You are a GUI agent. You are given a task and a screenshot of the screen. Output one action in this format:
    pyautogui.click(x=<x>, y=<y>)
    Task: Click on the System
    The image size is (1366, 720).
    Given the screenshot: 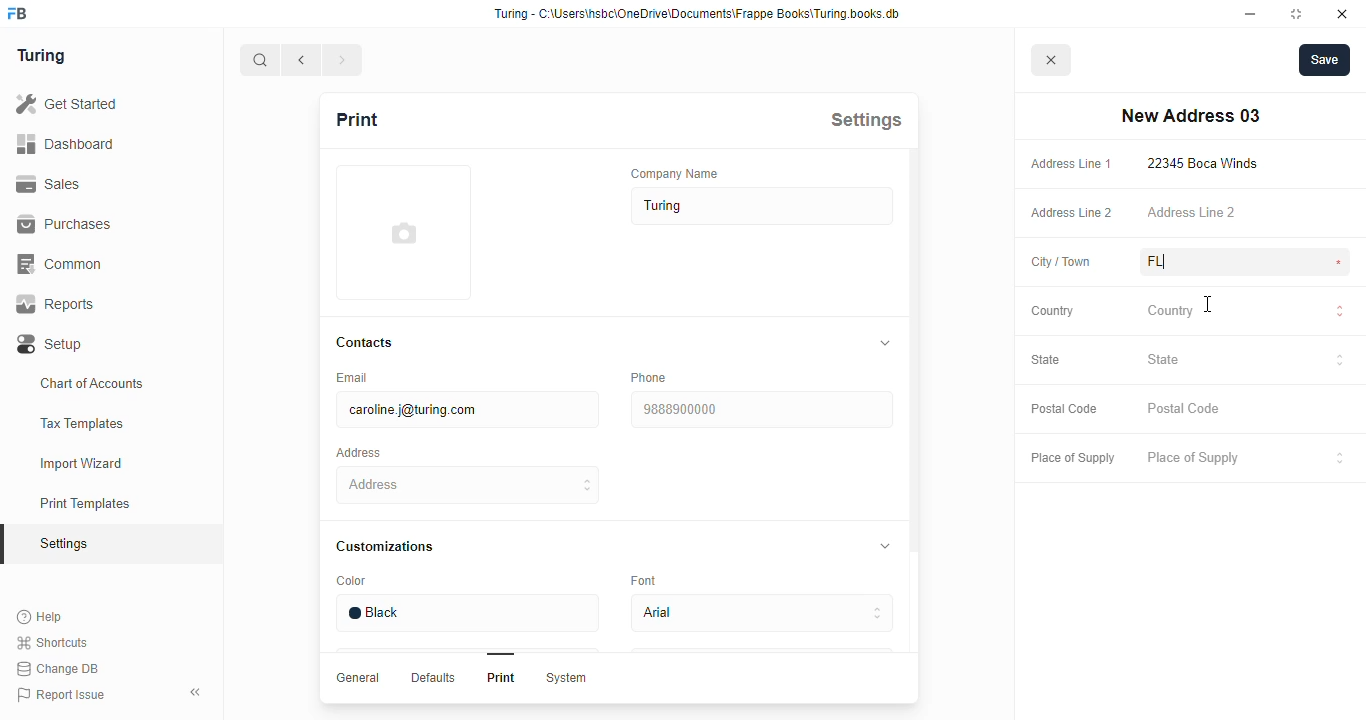 What is the action you would take?
    pyautogui.click(x=565, y=678)
    